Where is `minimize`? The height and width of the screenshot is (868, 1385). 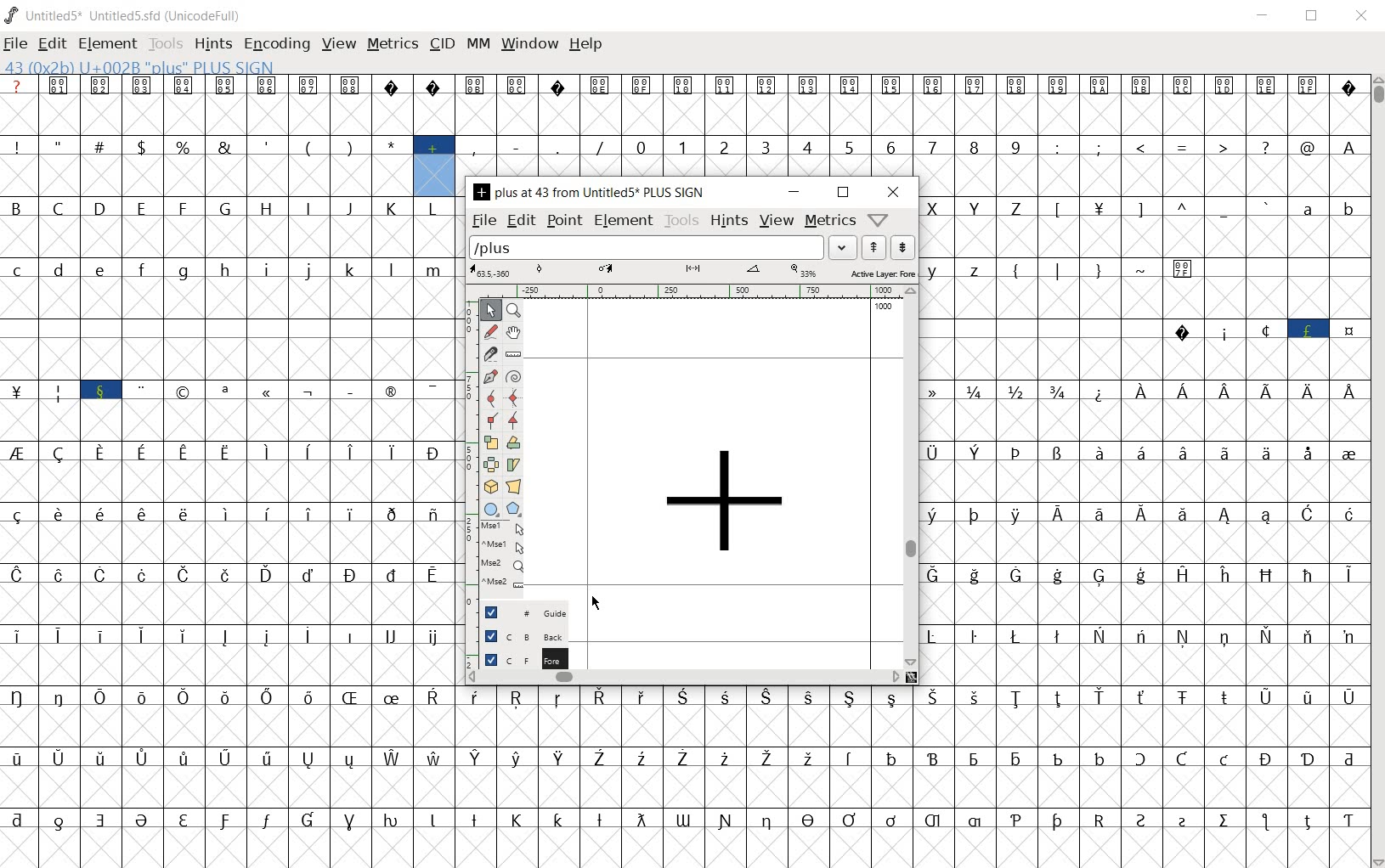
minimize is located at coordinates (795, 192).